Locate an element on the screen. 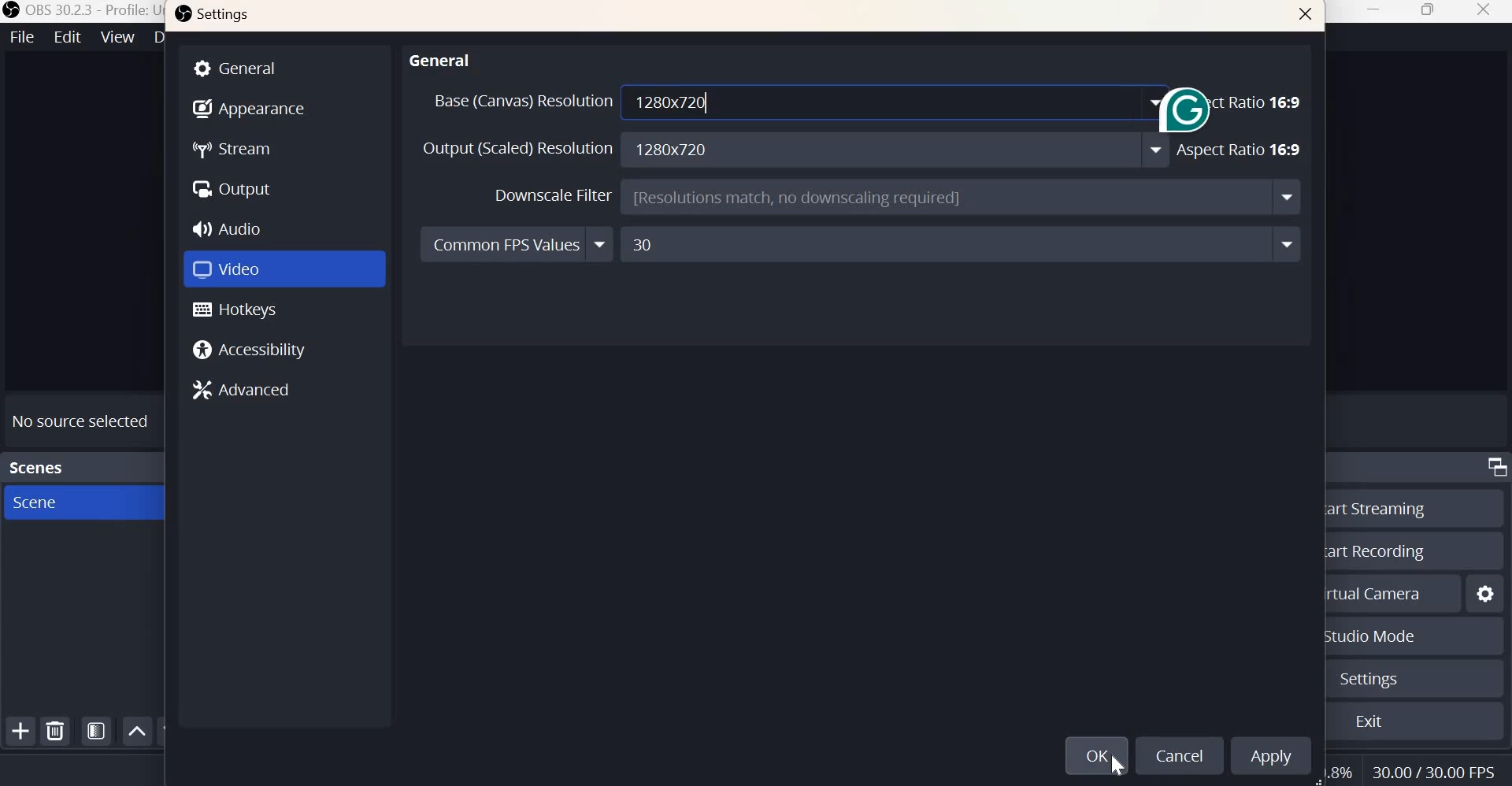 This screenshot has height=786, width=1512. Maximize is located at coordinates (1429, 13).